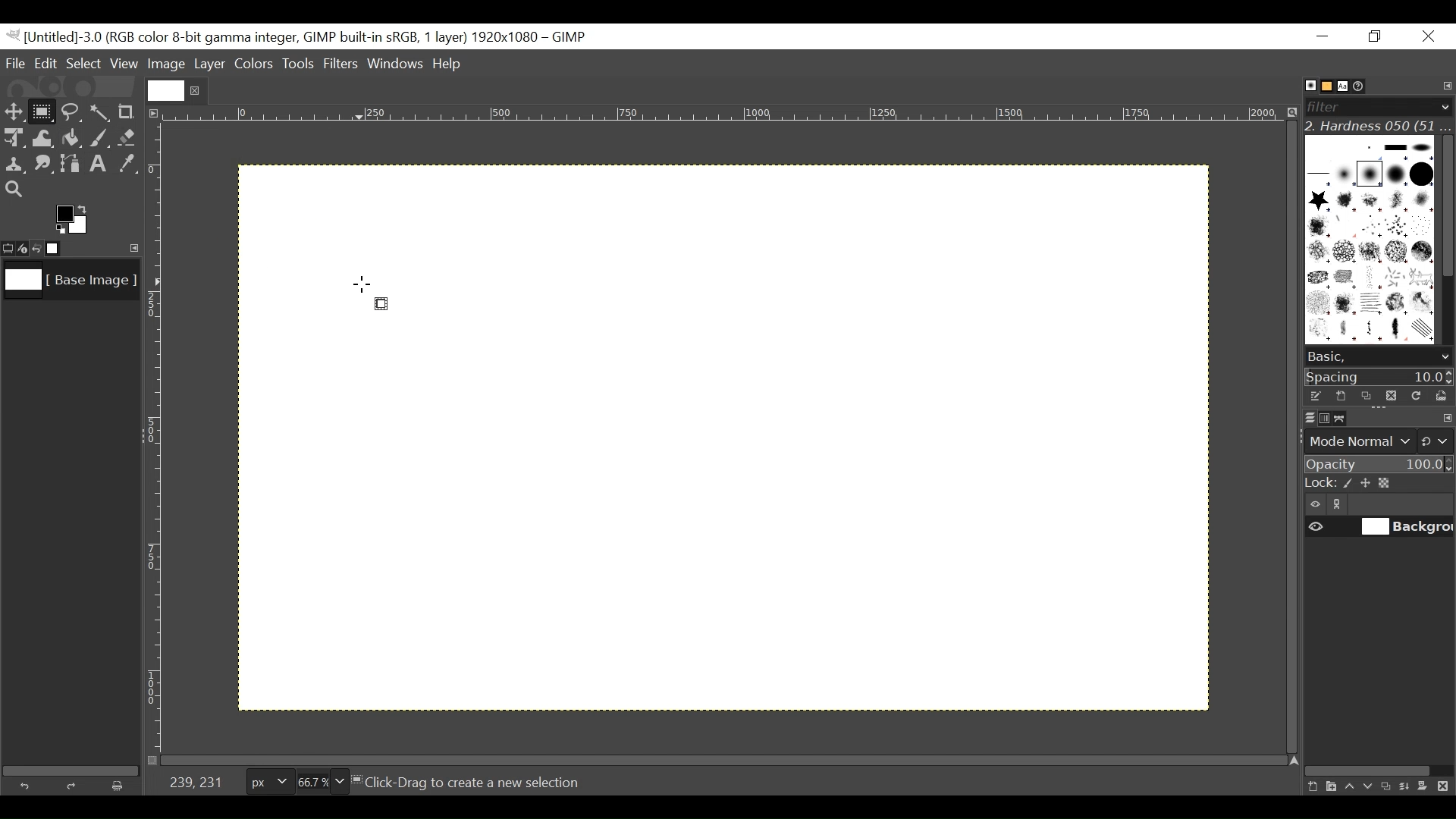 The width and height of the screenshot is (1456, 819). What do you see at coordinates (1330, 786) in the screenshot?
I see `Create a new layer` at bounding box center [1330, 786].